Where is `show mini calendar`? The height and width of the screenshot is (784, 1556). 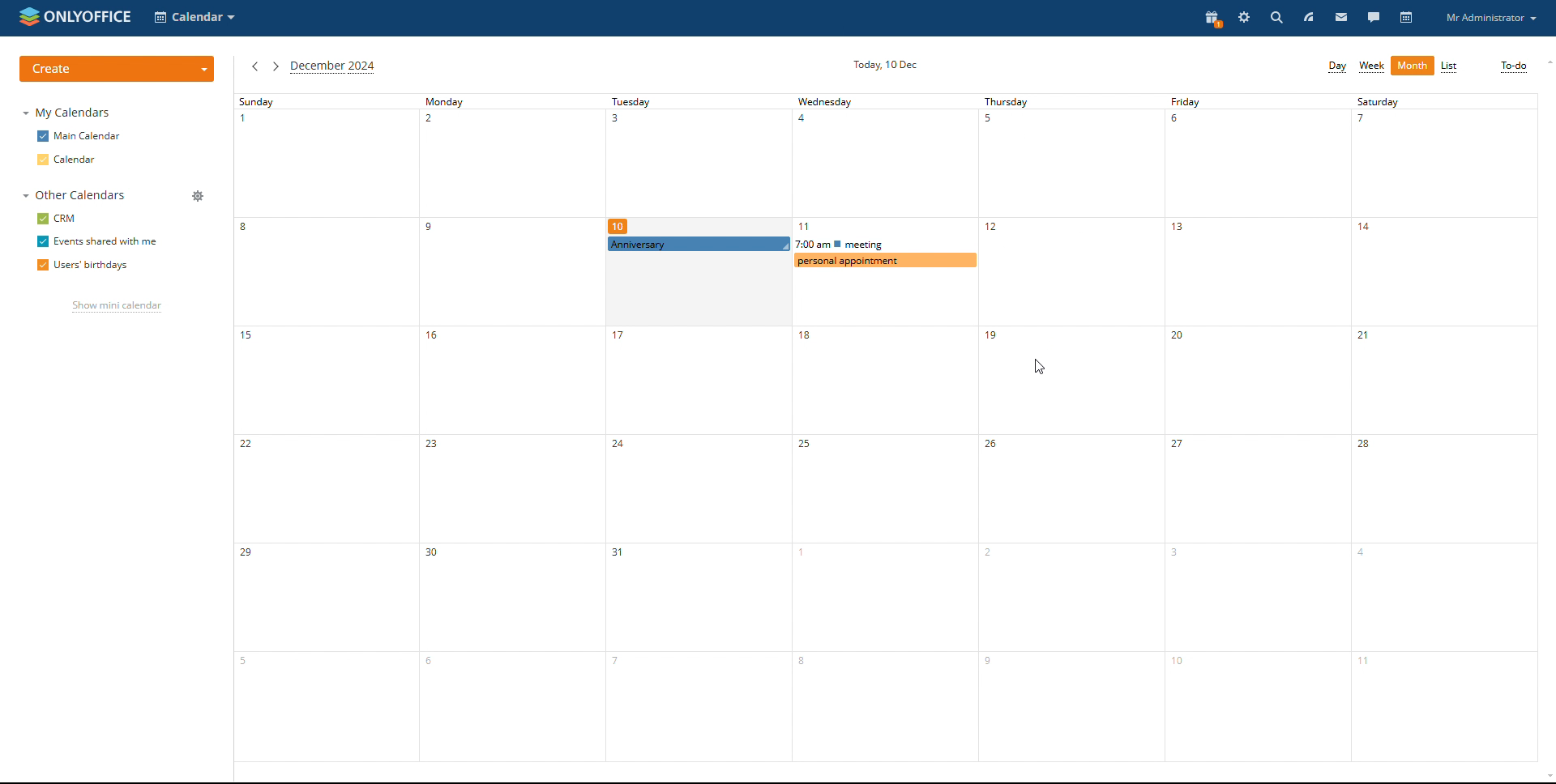 show mini calendar is located at coordinates (116, 308).